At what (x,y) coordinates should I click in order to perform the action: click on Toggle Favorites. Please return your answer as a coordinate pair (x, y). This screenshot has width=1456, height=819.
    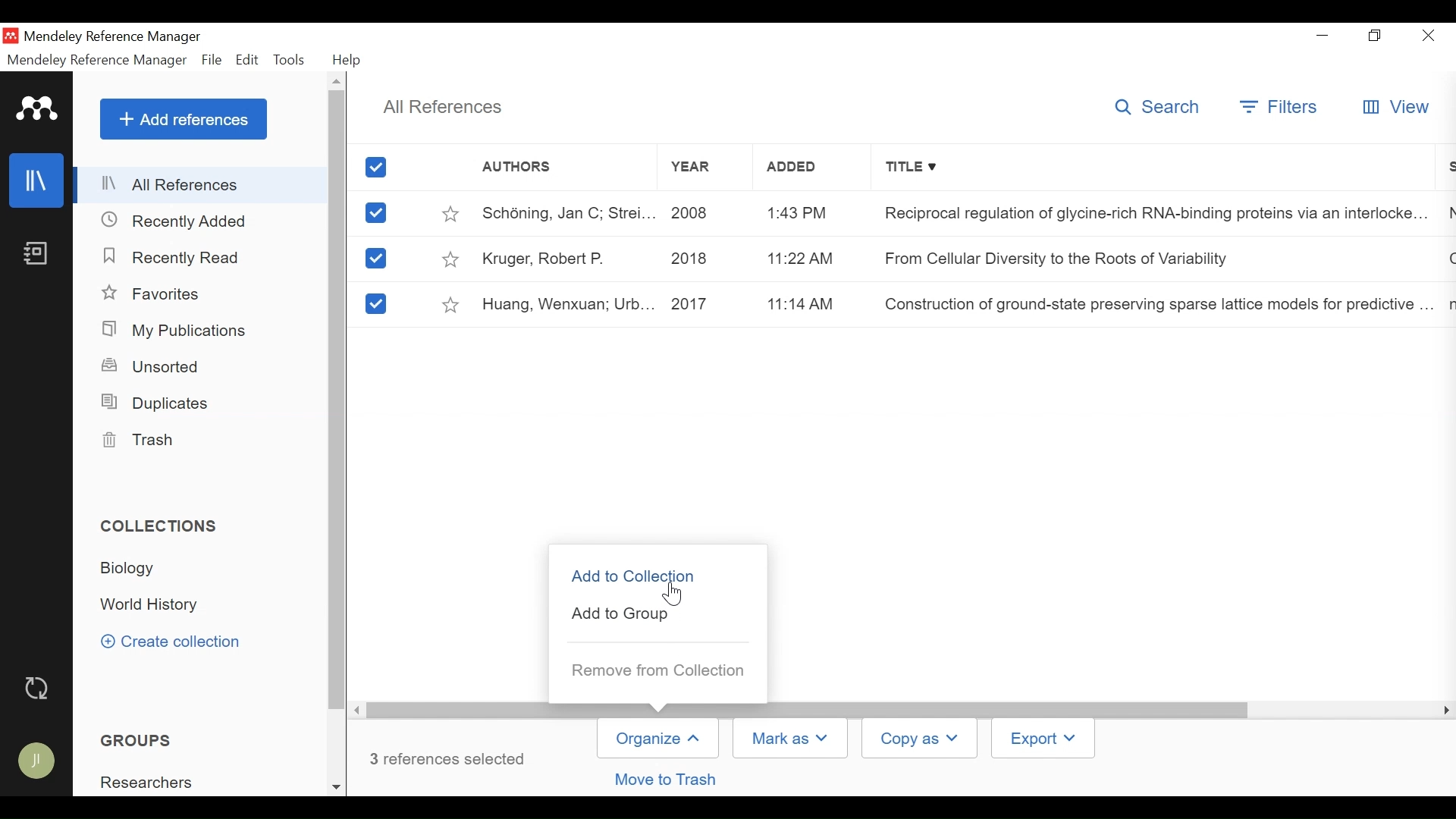
    Looking at the image, I should click on (453, 259).